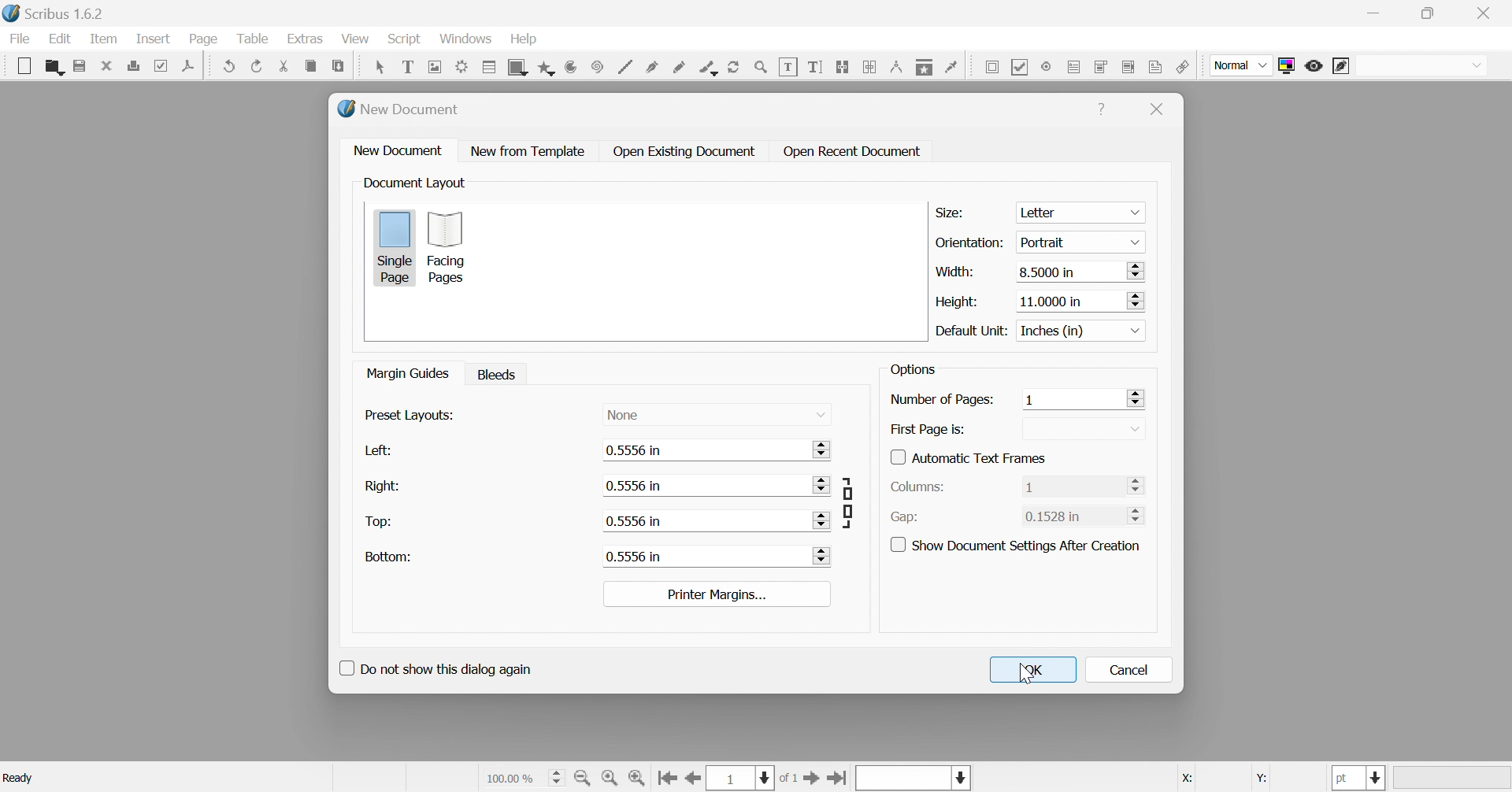 The image size is (1512, 792). I want to click on facing pages, so click(452, 249).